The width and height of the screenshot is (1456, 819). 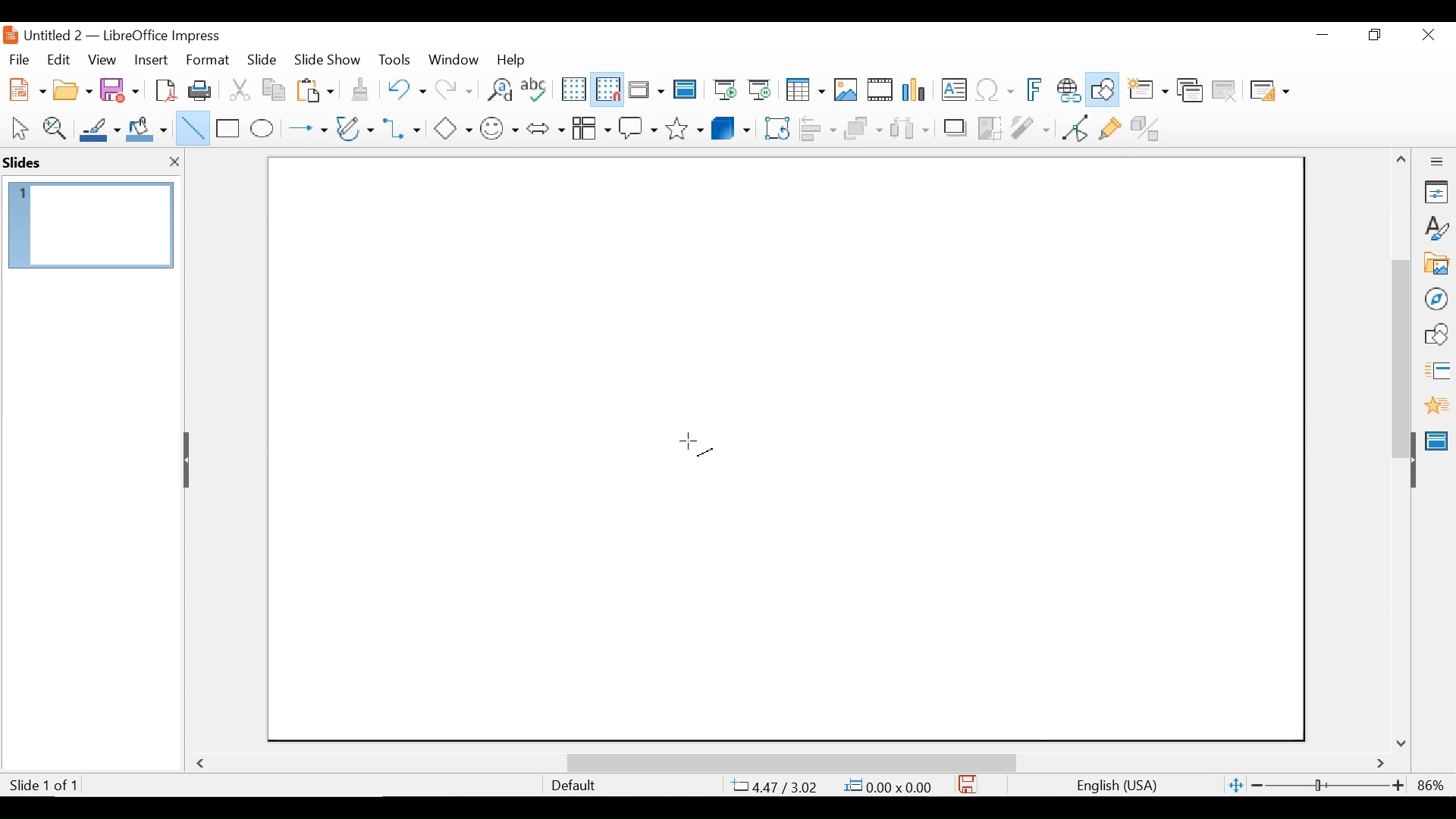 What do you see at coordinates (201, 89) in the screenshot?
I see `Print` at bounding box center [201, 89].